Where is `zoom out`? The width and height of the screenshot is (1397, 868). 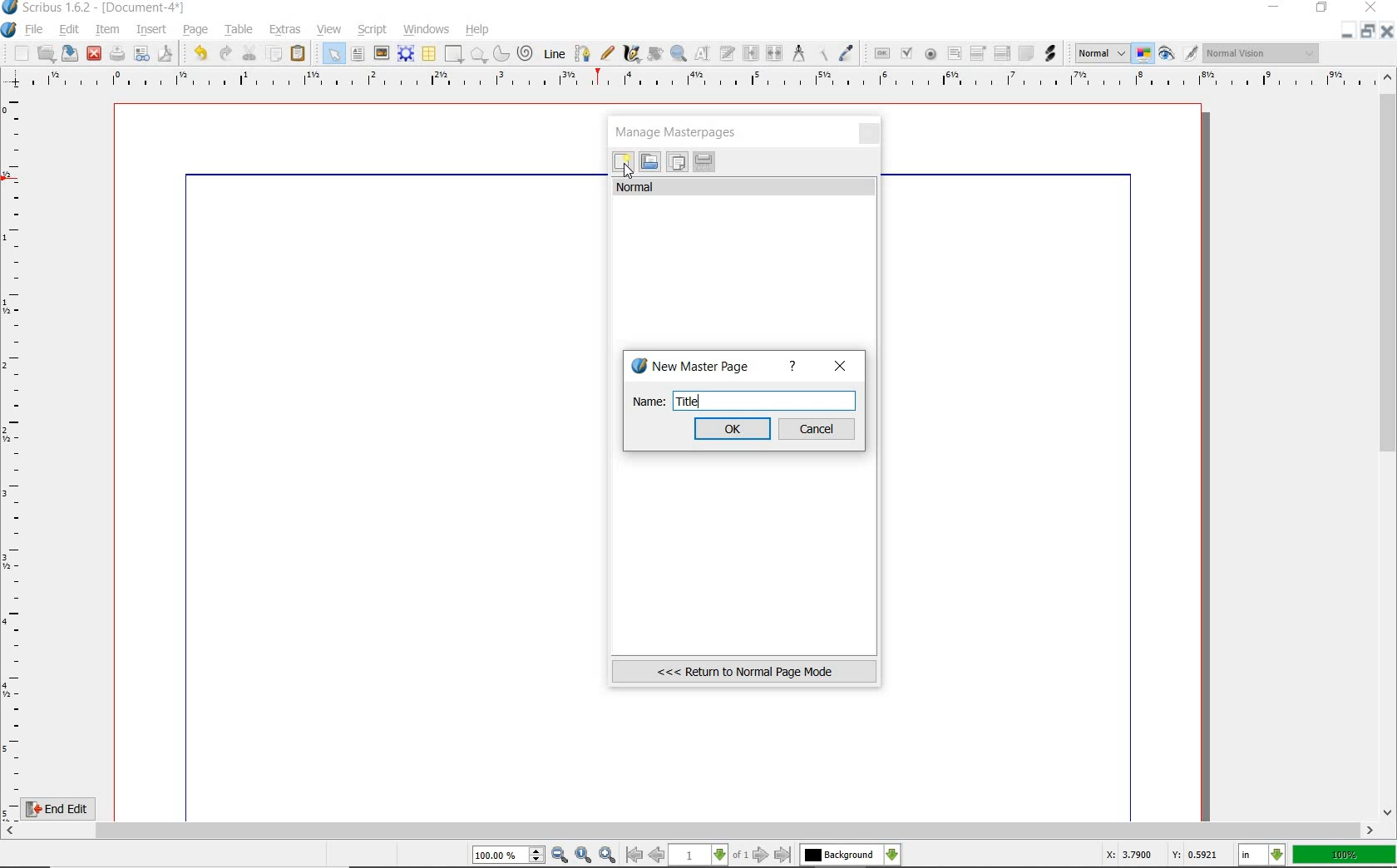 zoom out is located at coordinates (560, 856).